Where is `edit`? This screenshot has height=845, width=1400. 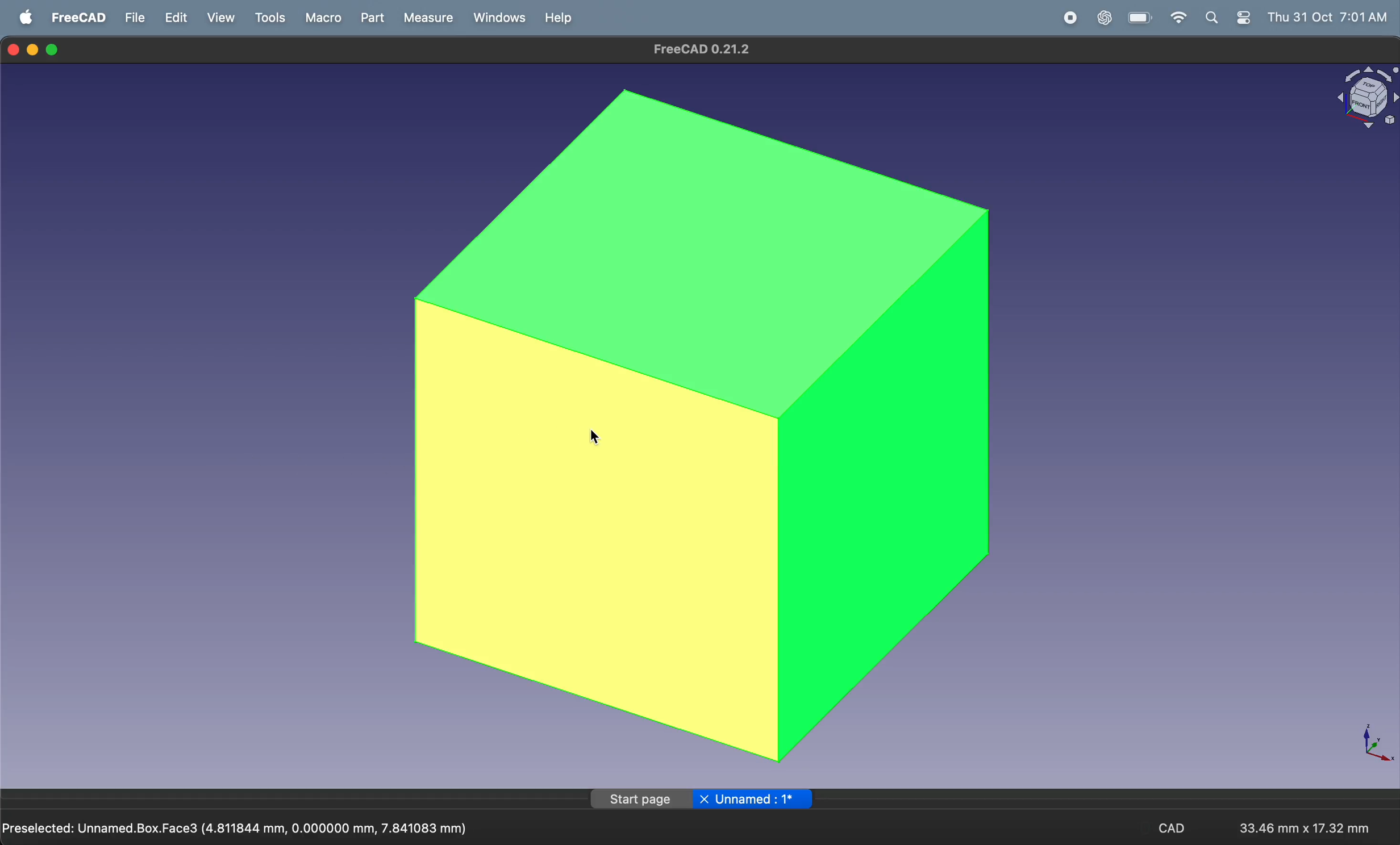
edit is located at coordinates (176, 19).